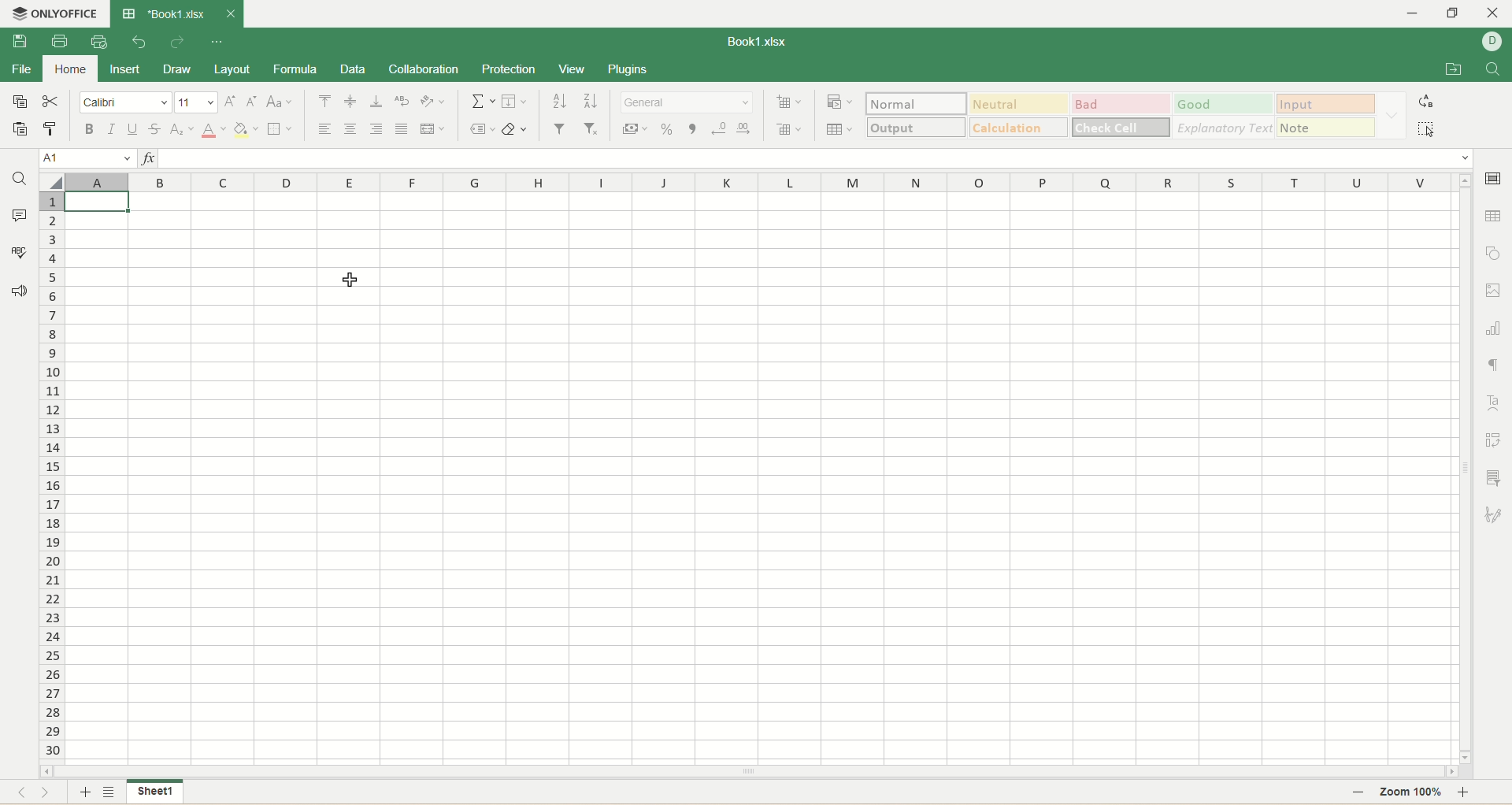 Image resolution: width=1512 pixels, height=805 pixels. I want to click on sheet list, so click(112, 792).